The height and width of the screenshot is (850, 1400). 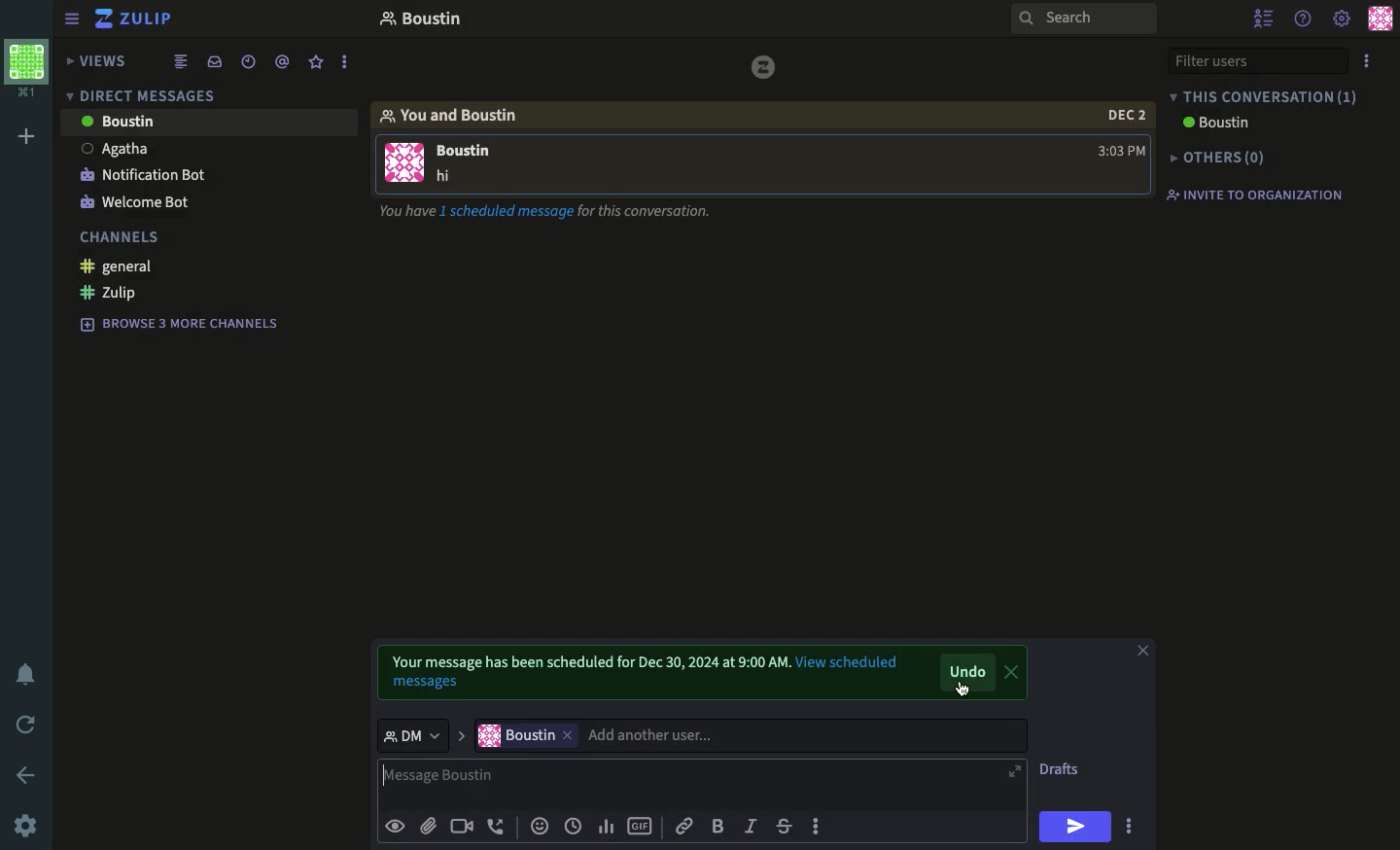 I want to click on gif, so click(x=642, y=826).